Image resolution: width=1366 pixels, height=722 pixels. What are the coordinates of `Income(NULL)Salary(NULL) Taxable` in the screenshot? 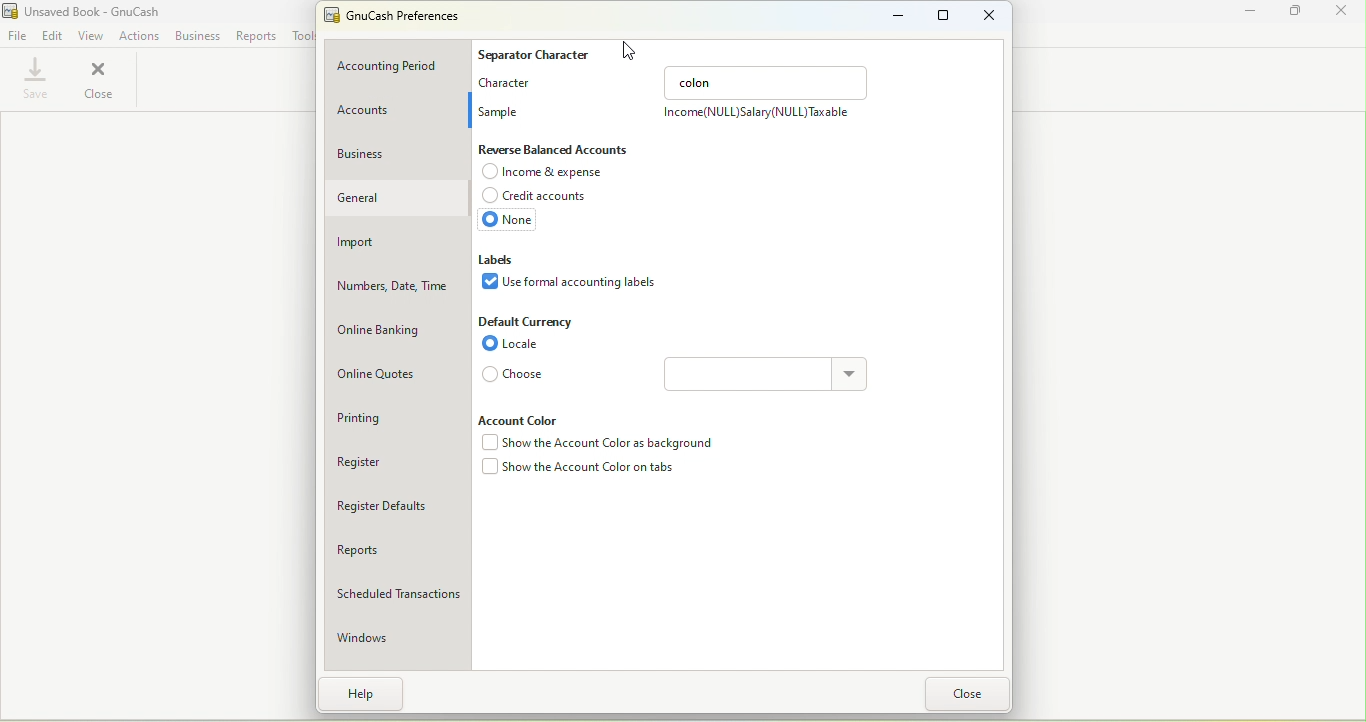 It's located at (758, 111).